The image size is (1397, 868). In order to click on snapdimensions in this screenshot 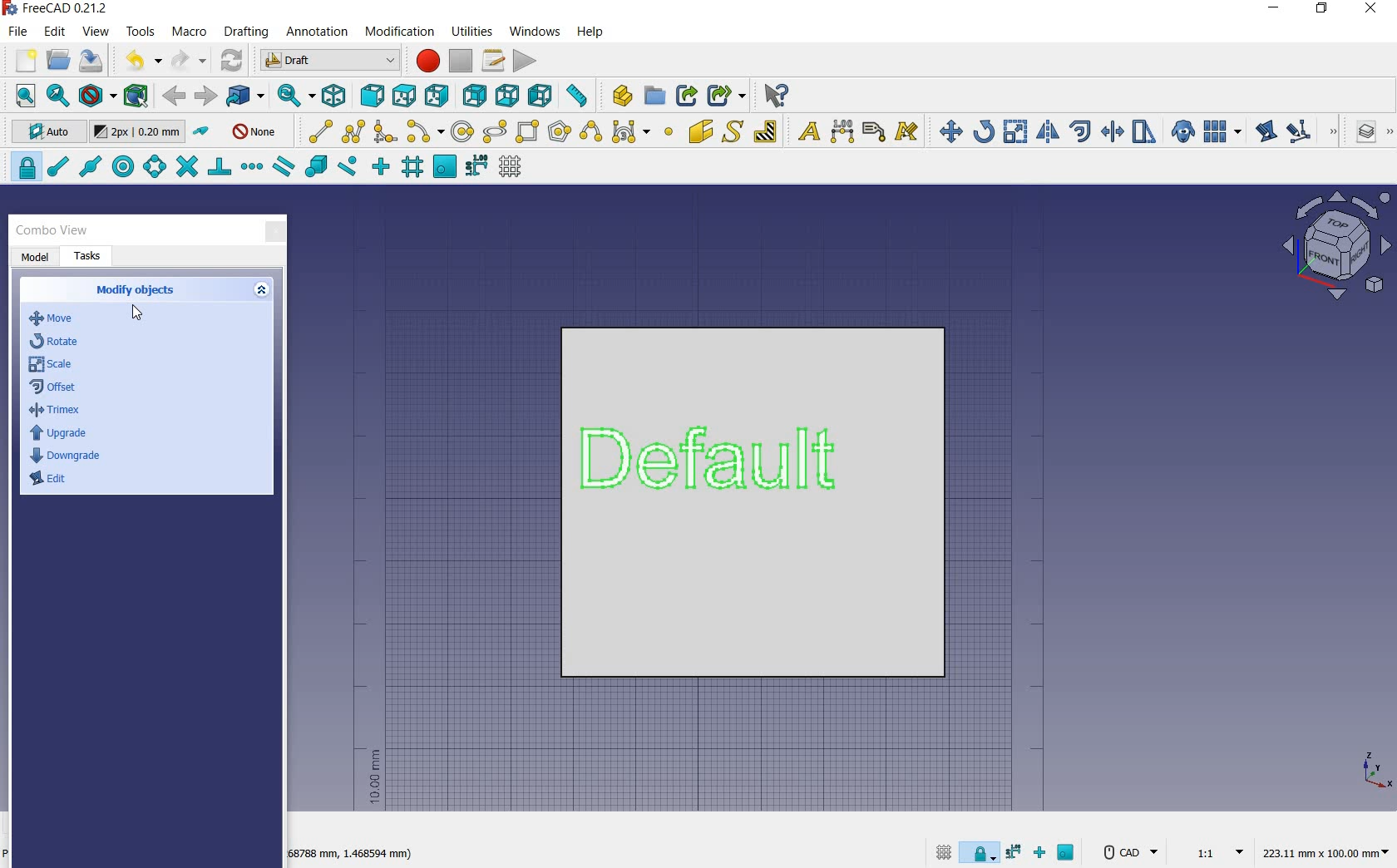, I will do `click(1016, 852)`.